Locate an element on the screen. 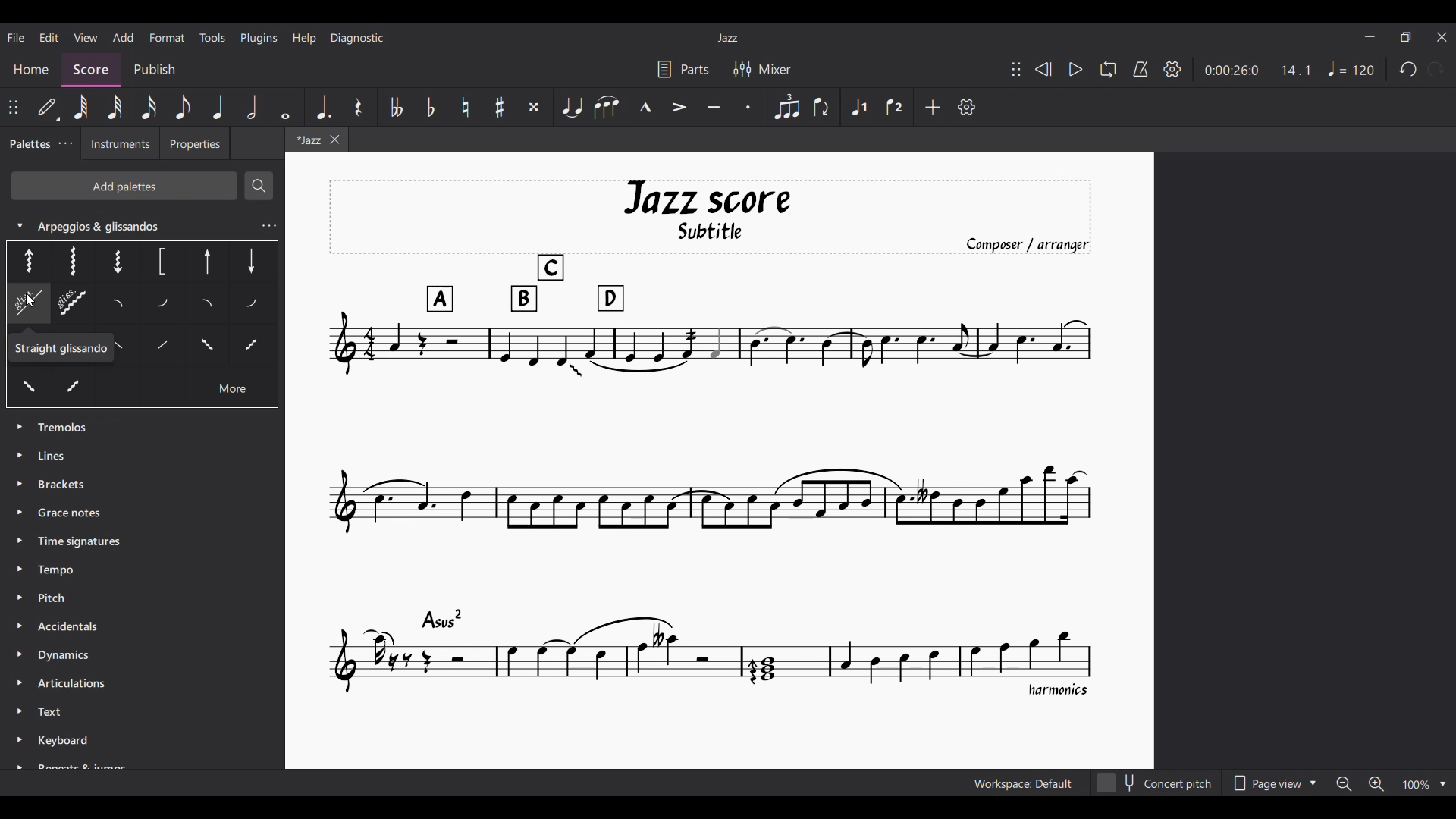  Parts settings is located at coordinates (683, 69).